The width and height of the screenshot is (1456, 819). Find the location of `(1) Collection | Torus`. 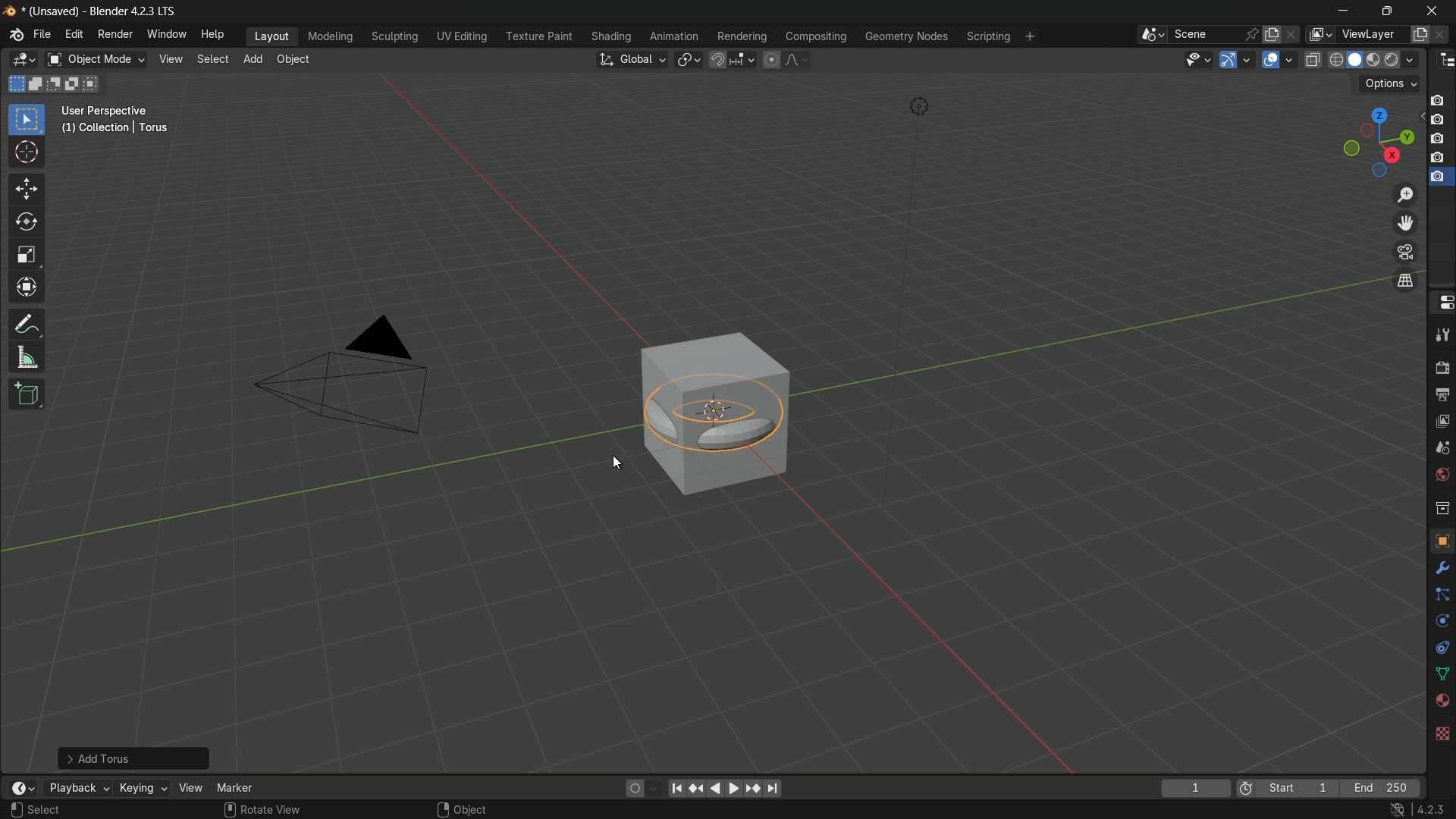

(1) Collection | Torus is located at coordinates (113, 129).